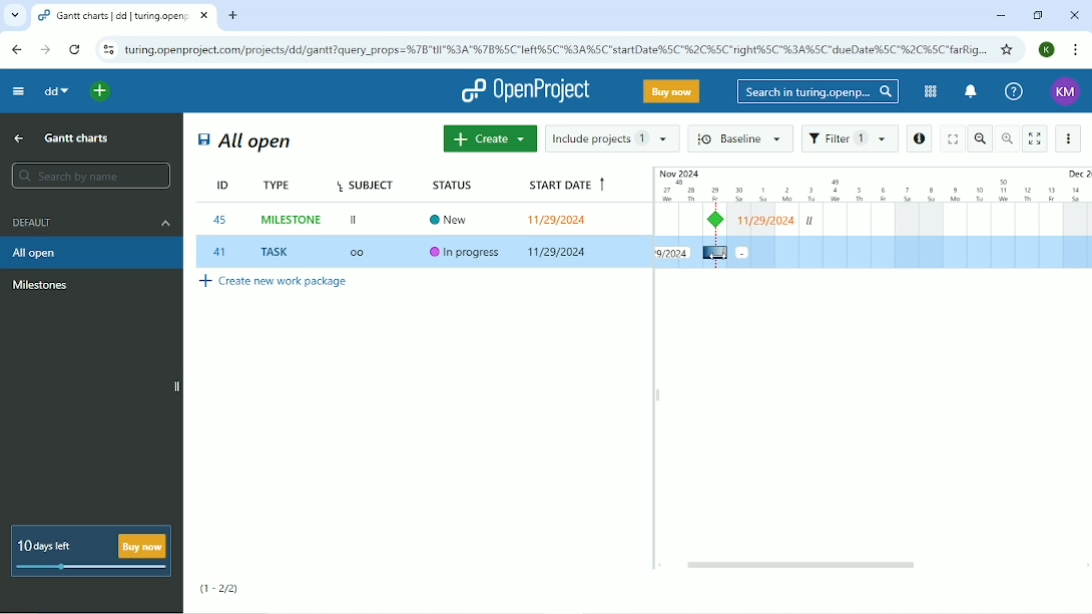 The height and width of the screenshot is (614, 1092). What do you see at coordinates (719, 220) in the screenshot?
I see `Milestone` at bounding box center [719, 220].